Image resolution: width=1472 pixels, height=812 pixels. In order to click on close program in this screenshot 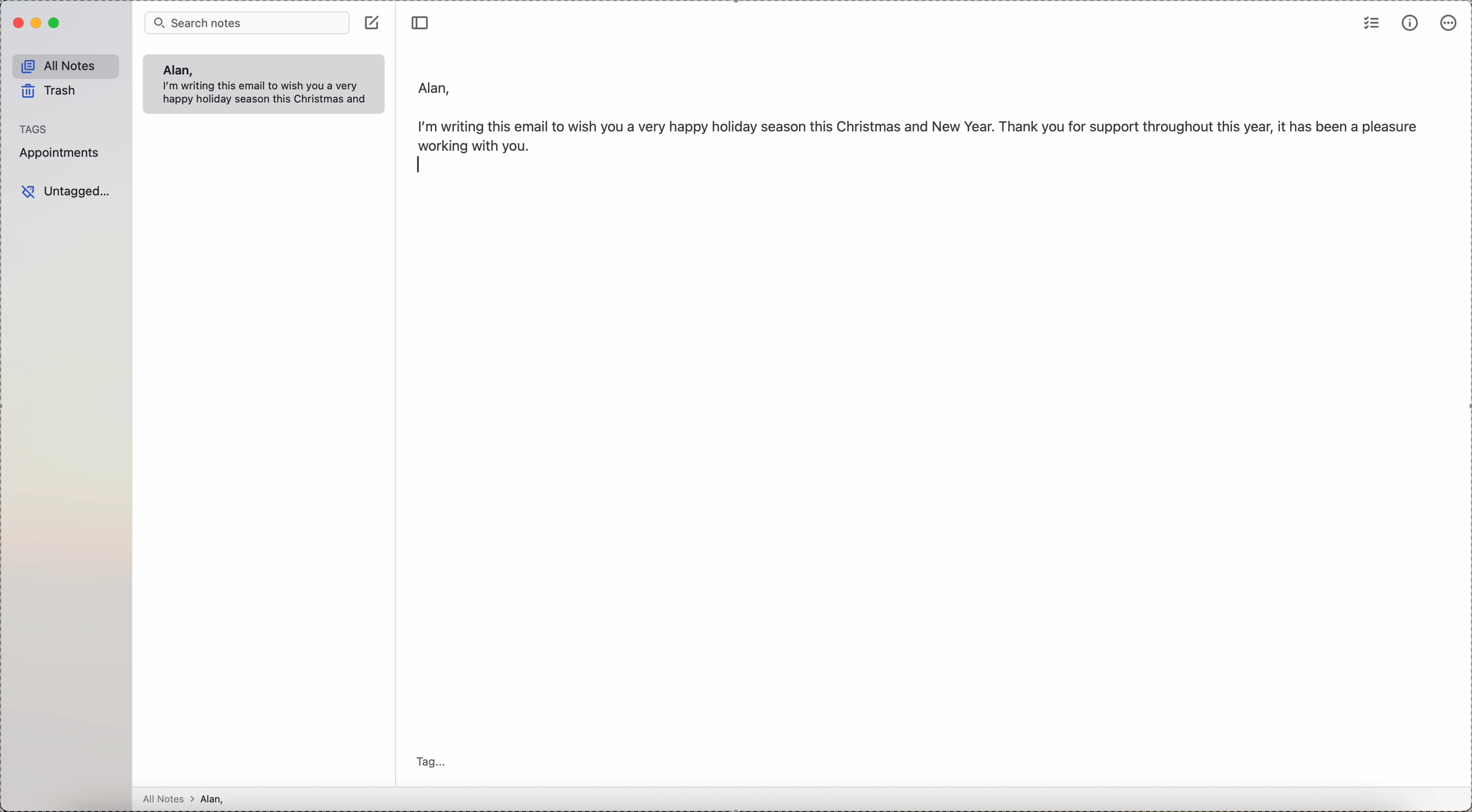, I will do `click(17, 23)`.